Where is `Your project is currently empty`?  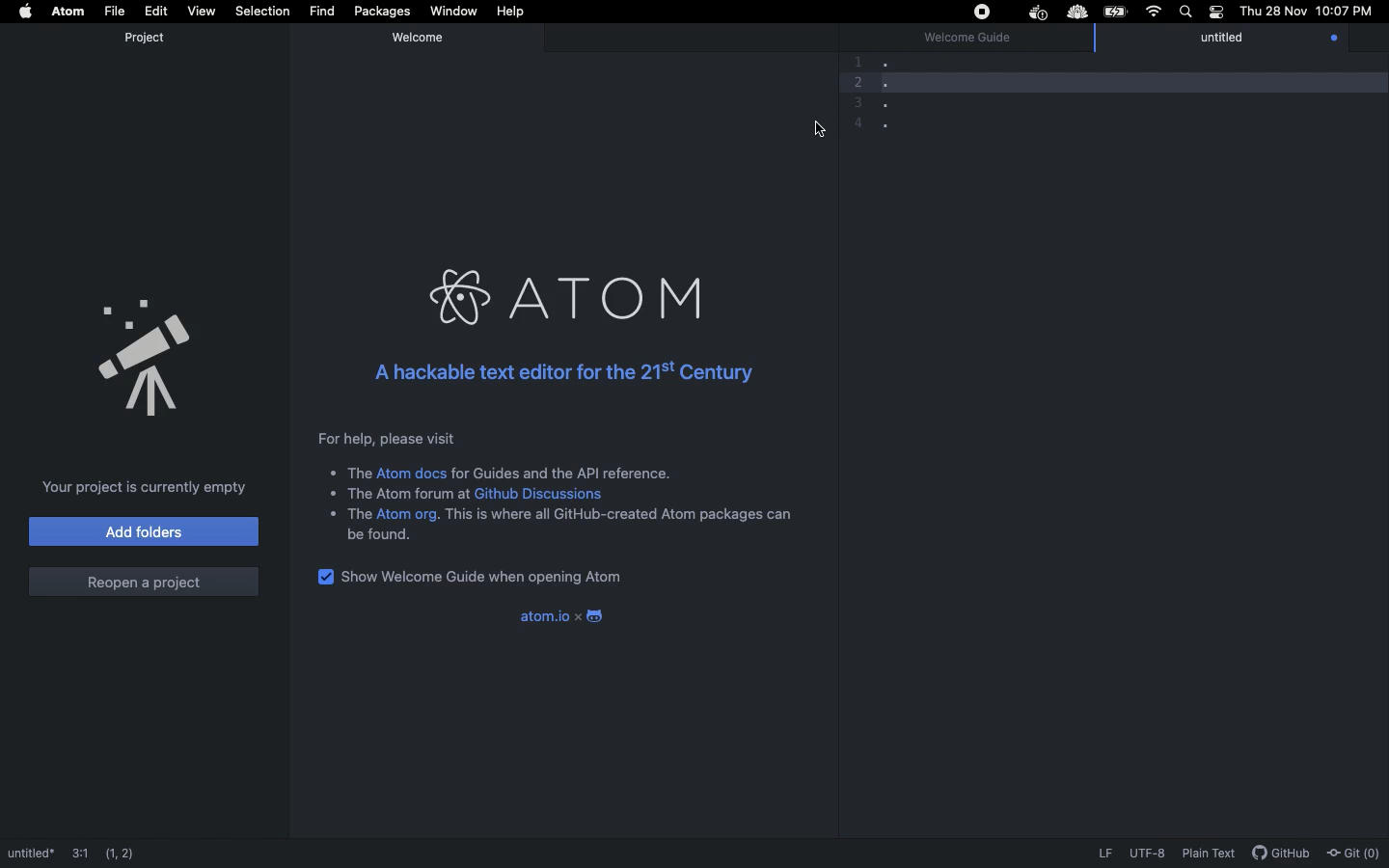 Your project is currently empty is located at coordinates (144, 485).